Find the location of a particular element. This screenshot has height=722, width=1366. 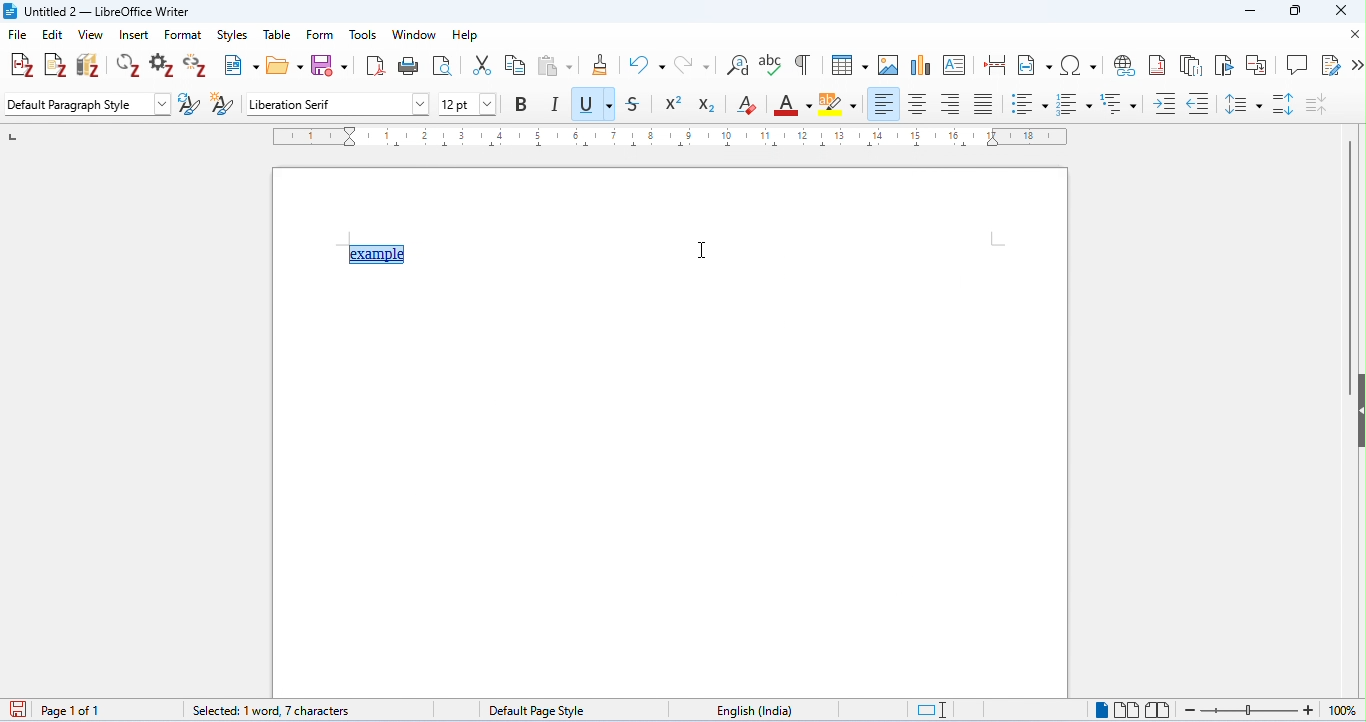

export as pdf is located at coordinates (373, 66).